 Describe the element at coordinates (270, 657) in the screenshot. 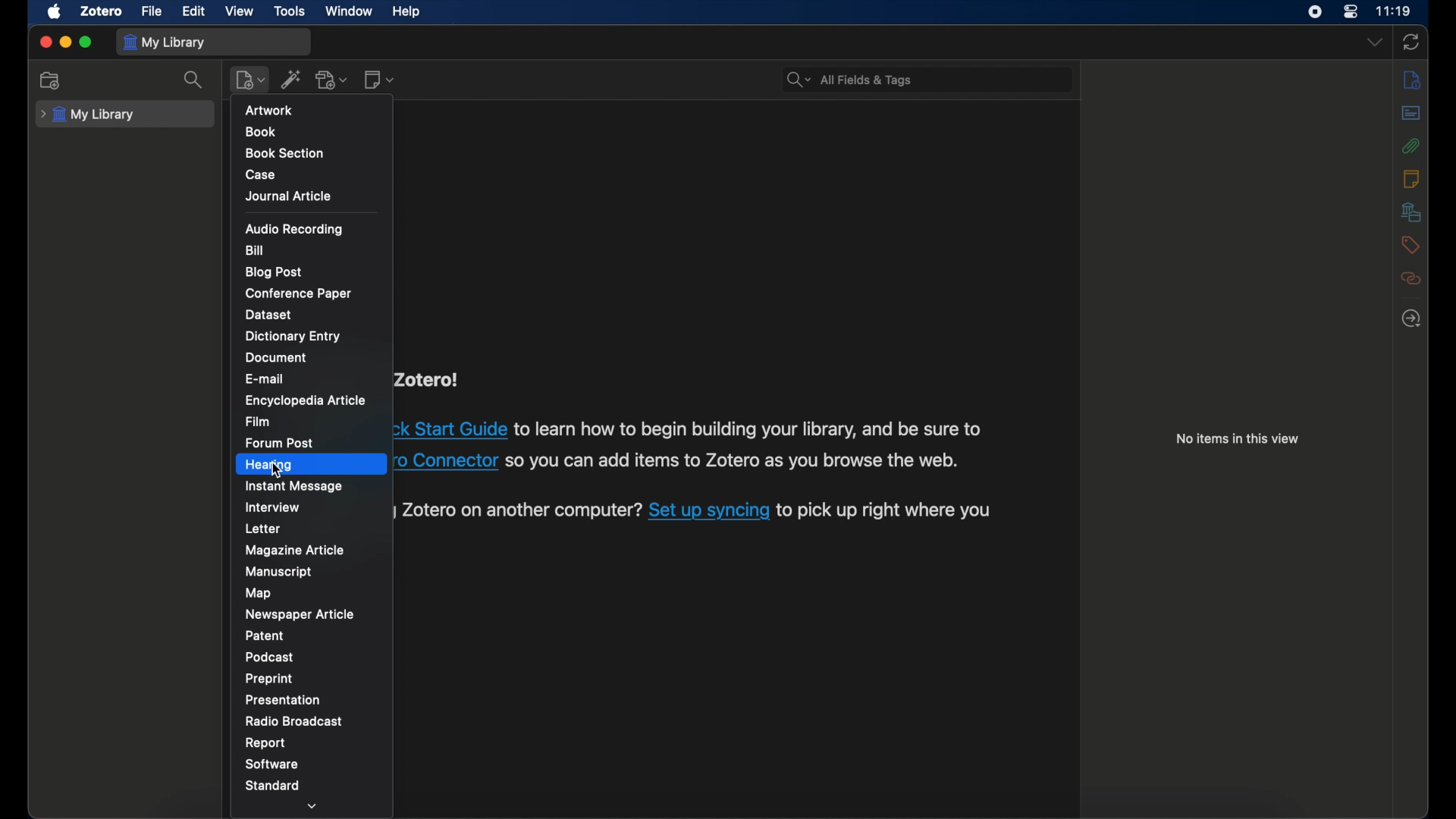

I see `podcast` at that location.